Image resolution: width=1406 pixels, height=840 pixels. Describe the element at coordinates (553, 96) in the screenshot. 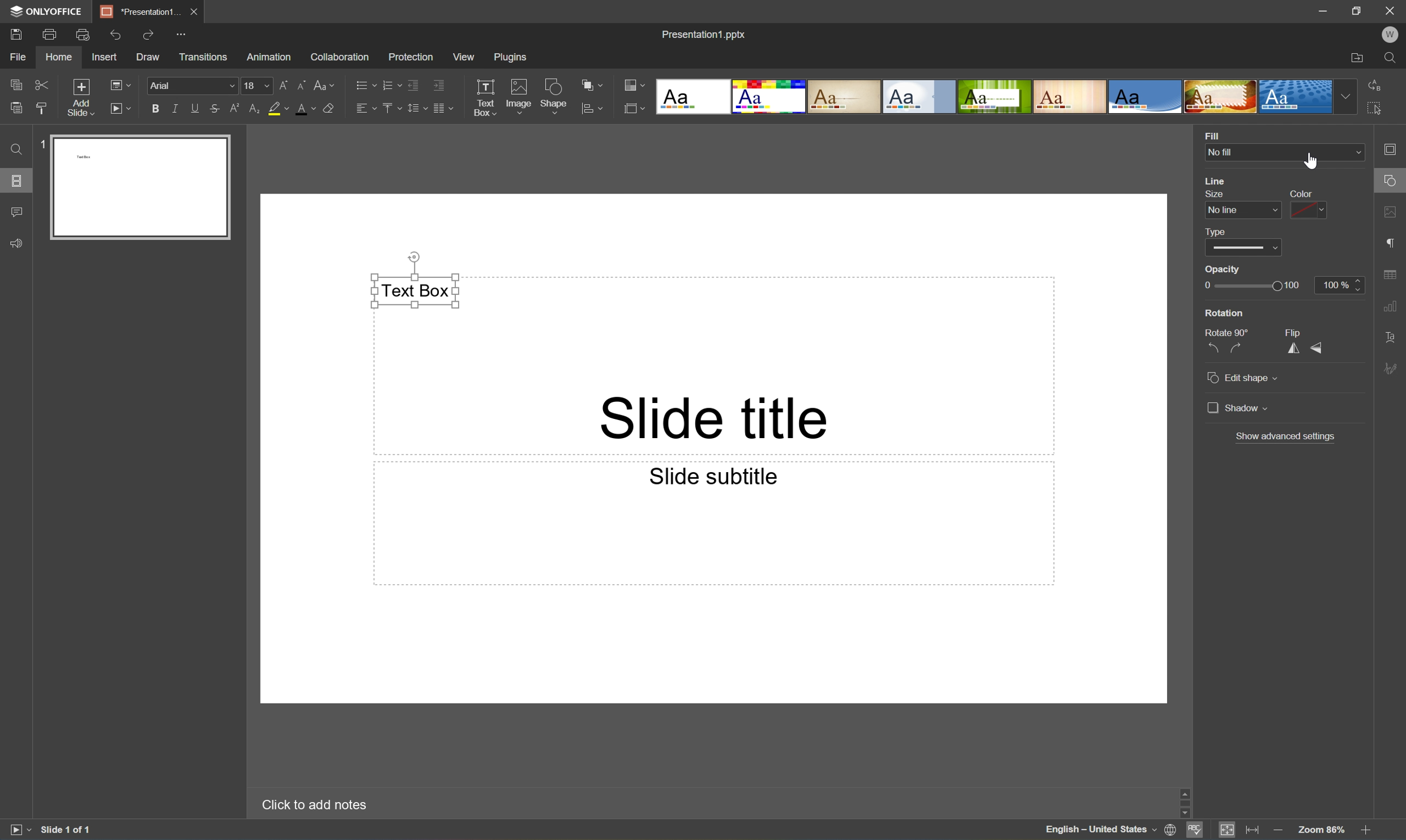

I see `Shape` at that location.